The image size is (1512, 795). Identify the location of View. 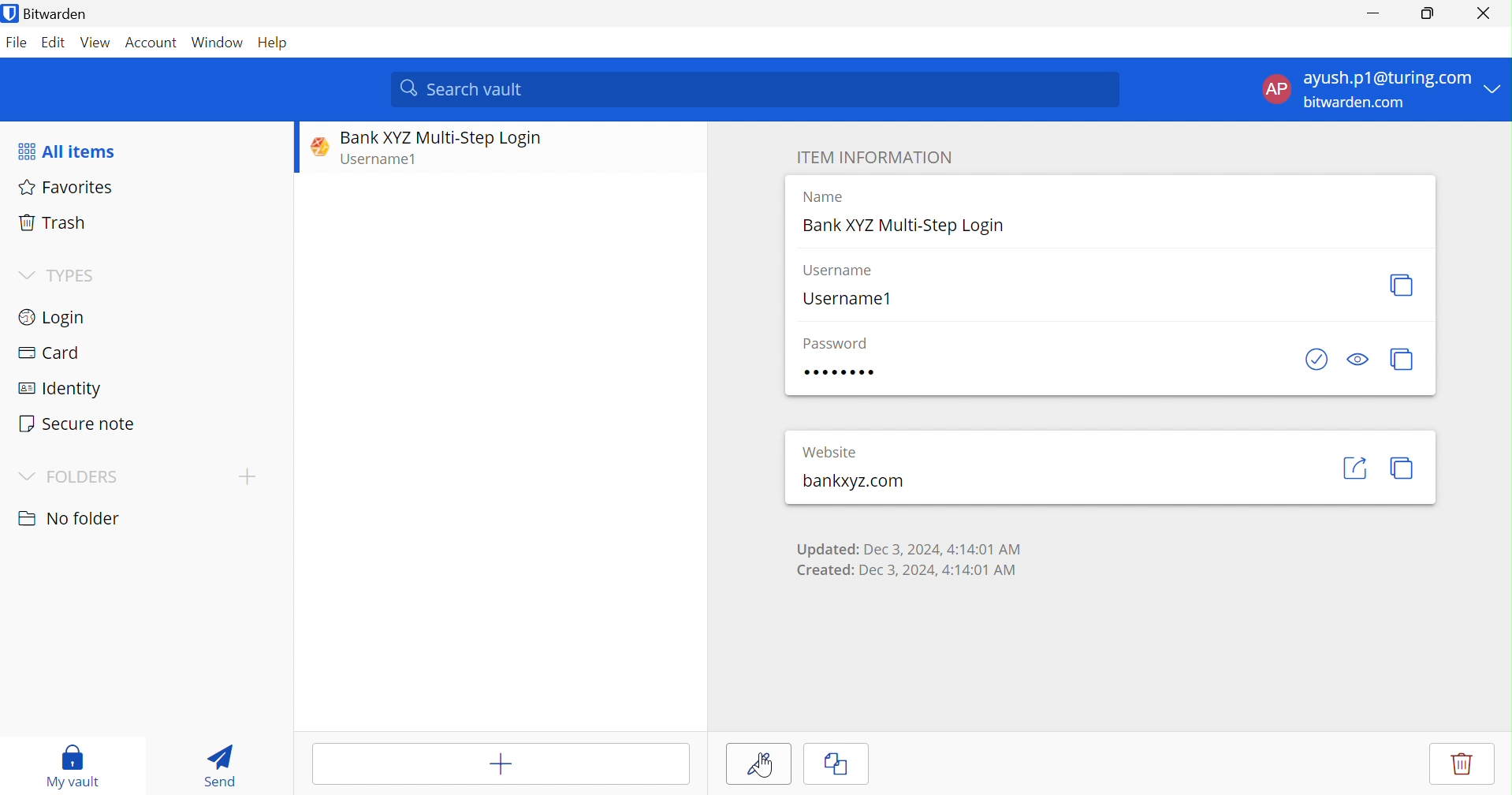
(96, 43).